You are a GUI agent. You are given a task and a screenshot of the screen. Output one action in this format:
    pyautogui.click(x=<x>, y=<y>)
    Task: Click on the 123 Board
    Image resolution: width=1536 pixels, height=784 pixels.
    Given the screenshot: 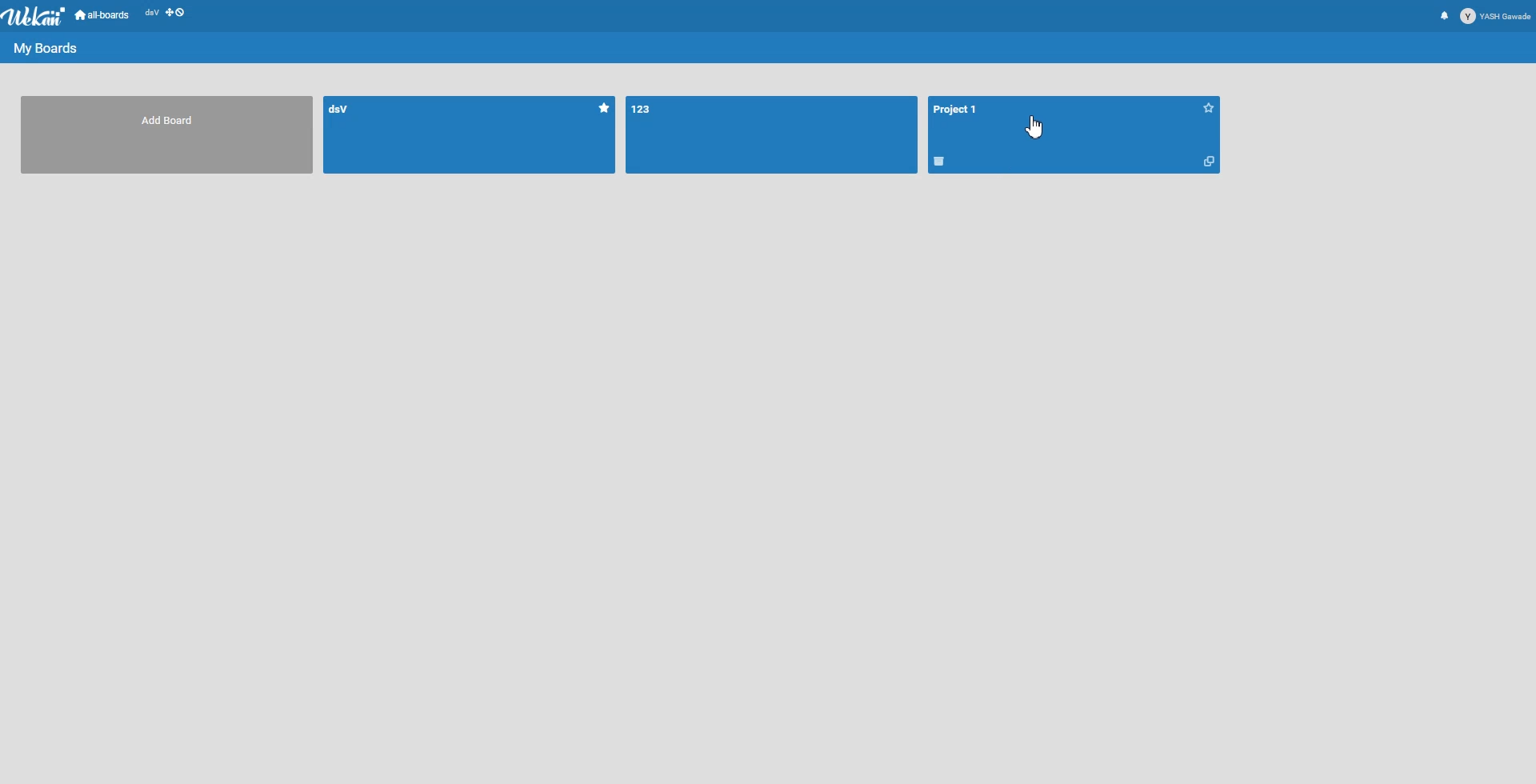 What is the action you would take?
    pyautogui.click(x=646, y=109)
    